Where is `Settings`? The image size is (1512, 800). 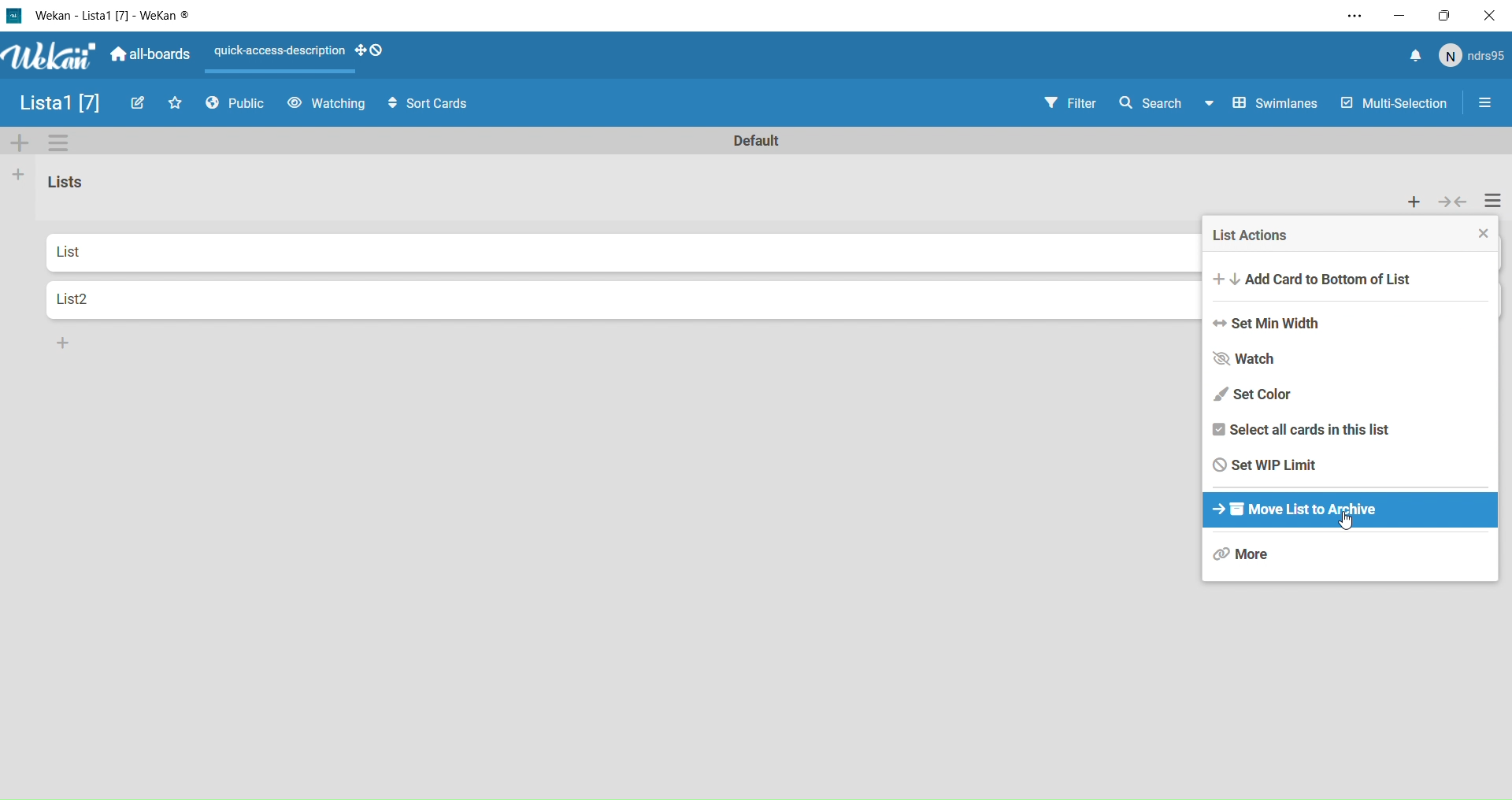
Settings is located at coordinates (64, 143).